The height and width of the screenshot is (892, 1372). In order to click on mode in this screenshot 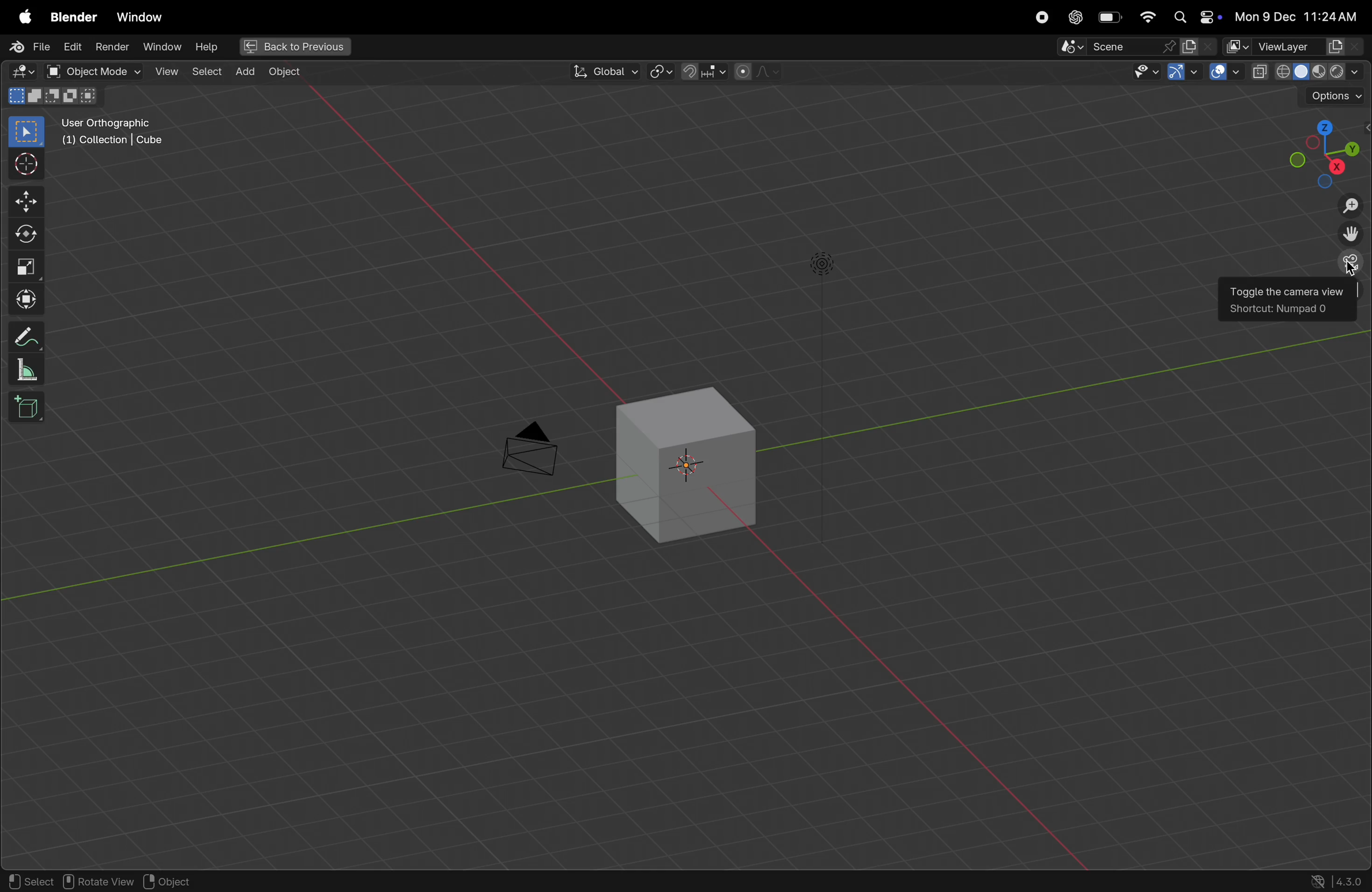, I will do `click(54, 97)`.